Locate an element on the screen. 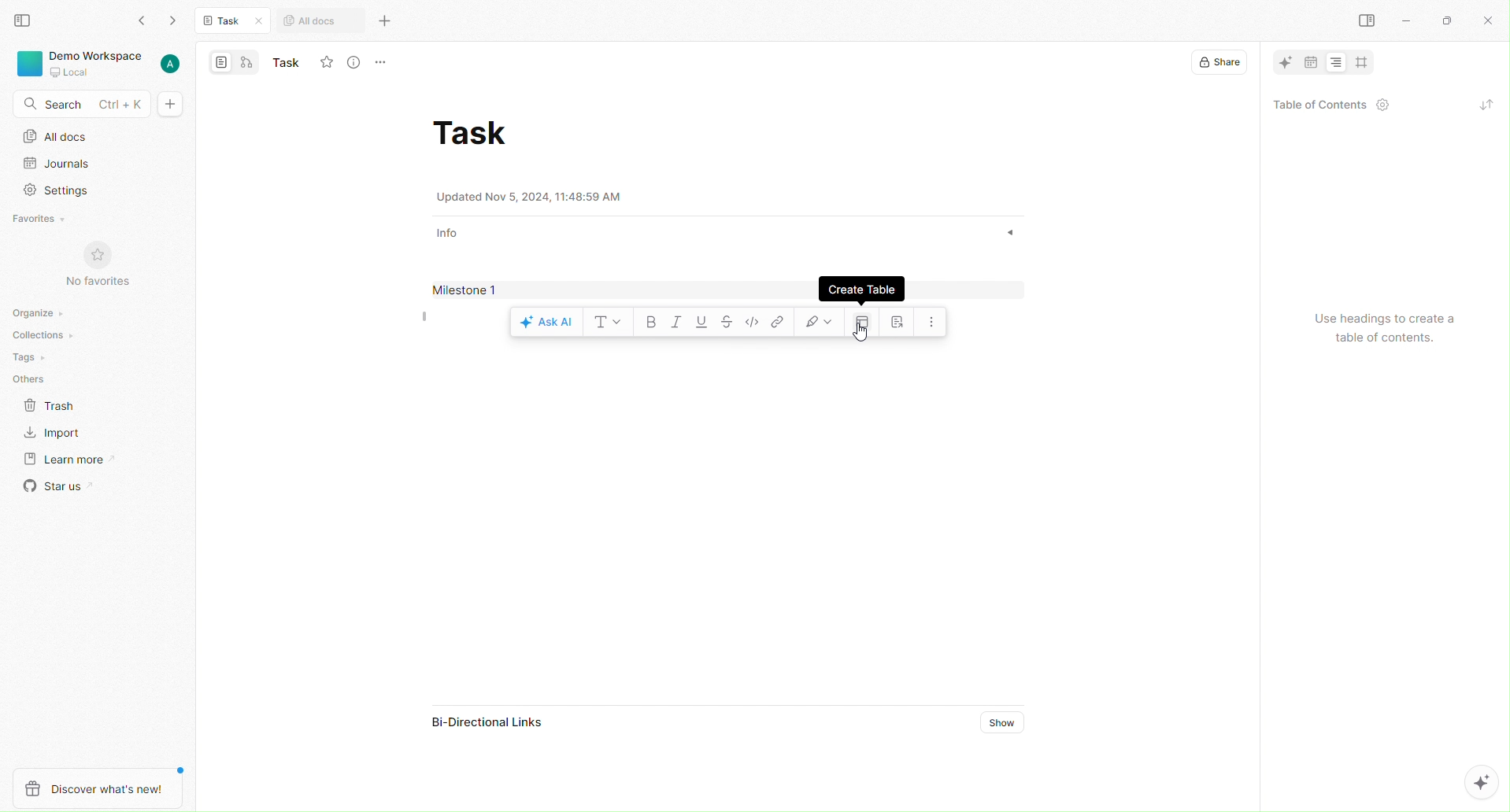 This screenshot has width=1510, height=812. Bi-Directional Links is located at coordinates (488, 723).